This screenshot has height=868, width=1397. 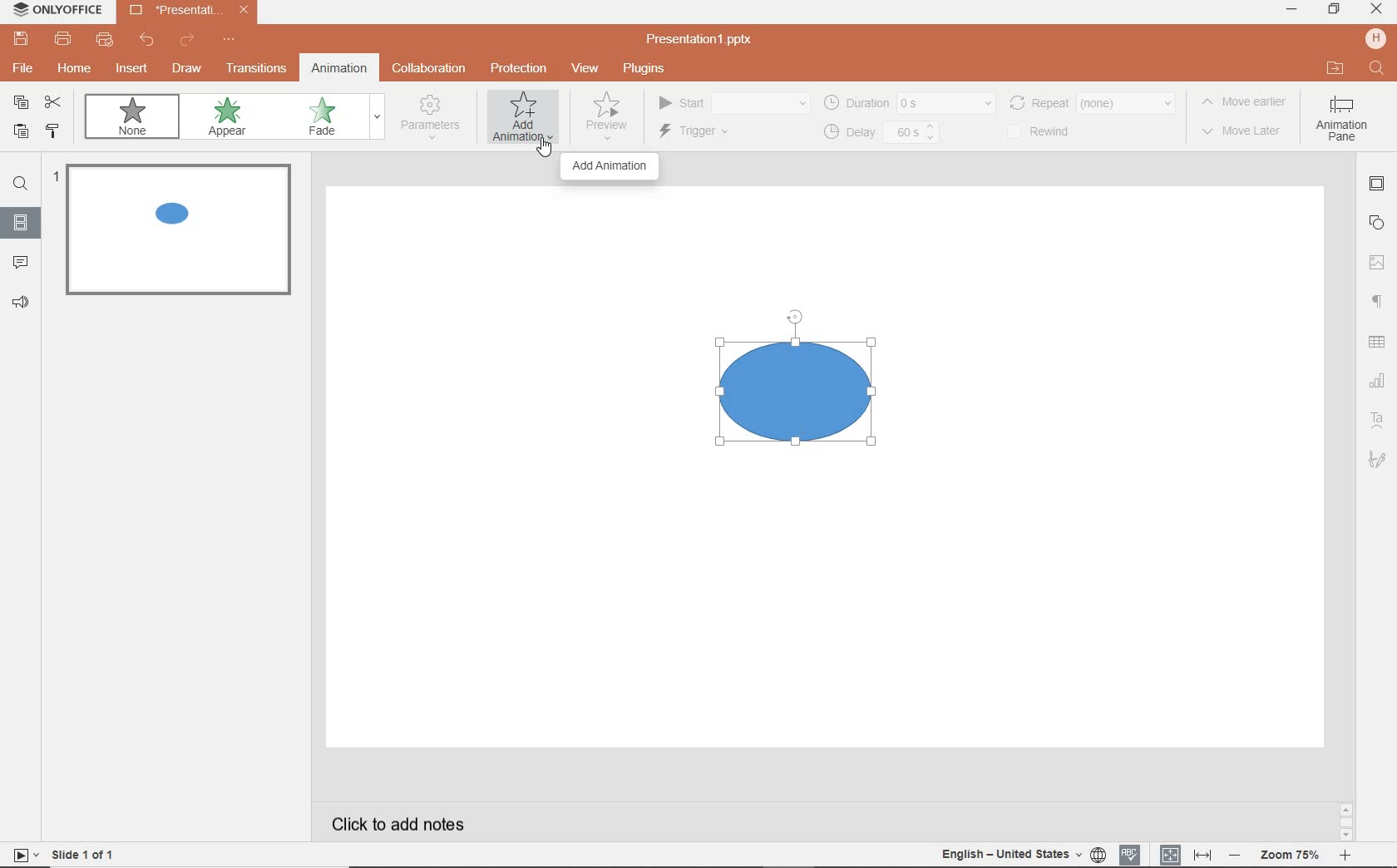 I want to click on PASTE, so click(x=20, y=133).